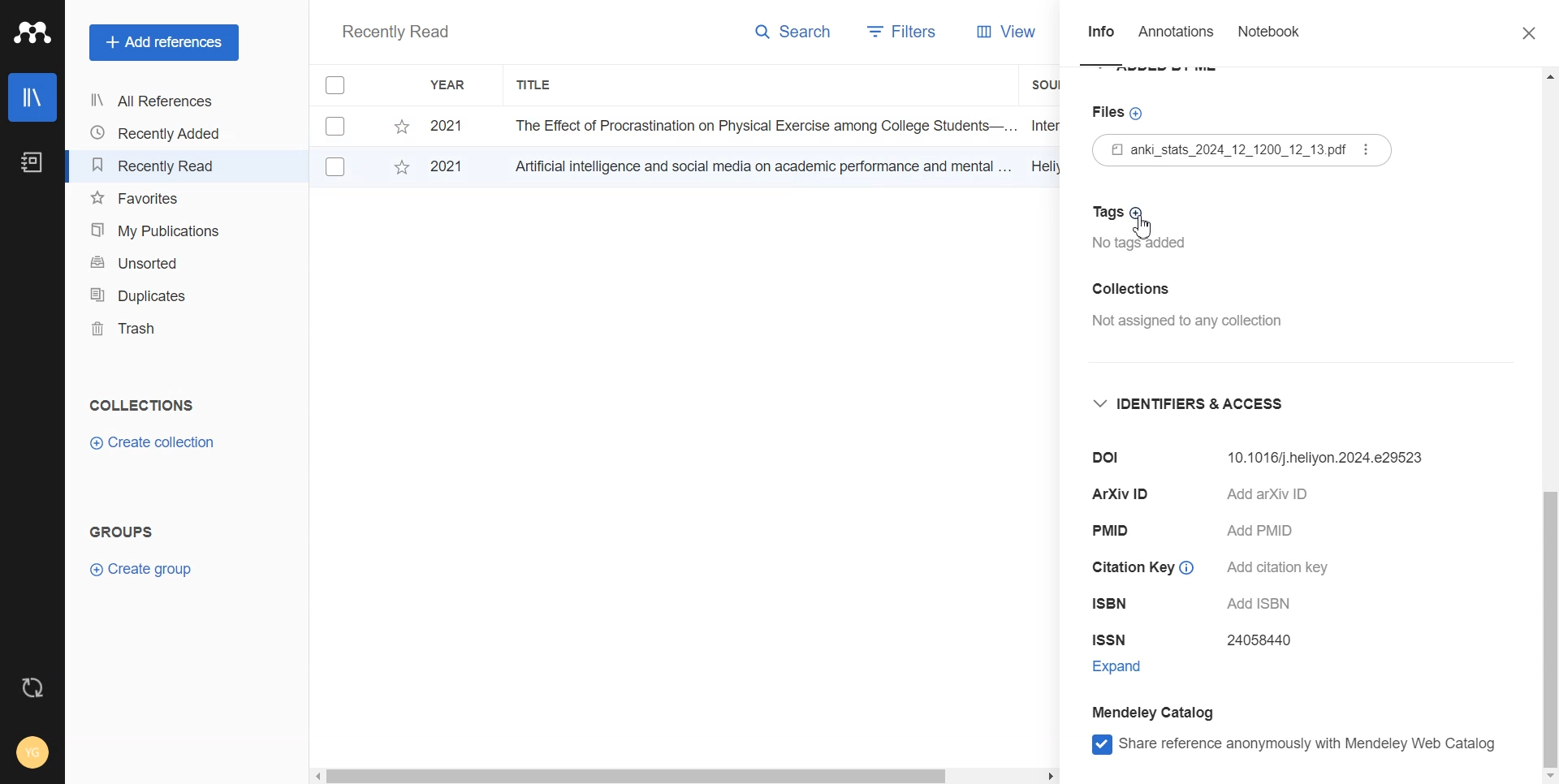  Describe the element at coordinates (343, 84) in the screenshot. I see `Checkbox` at that location.